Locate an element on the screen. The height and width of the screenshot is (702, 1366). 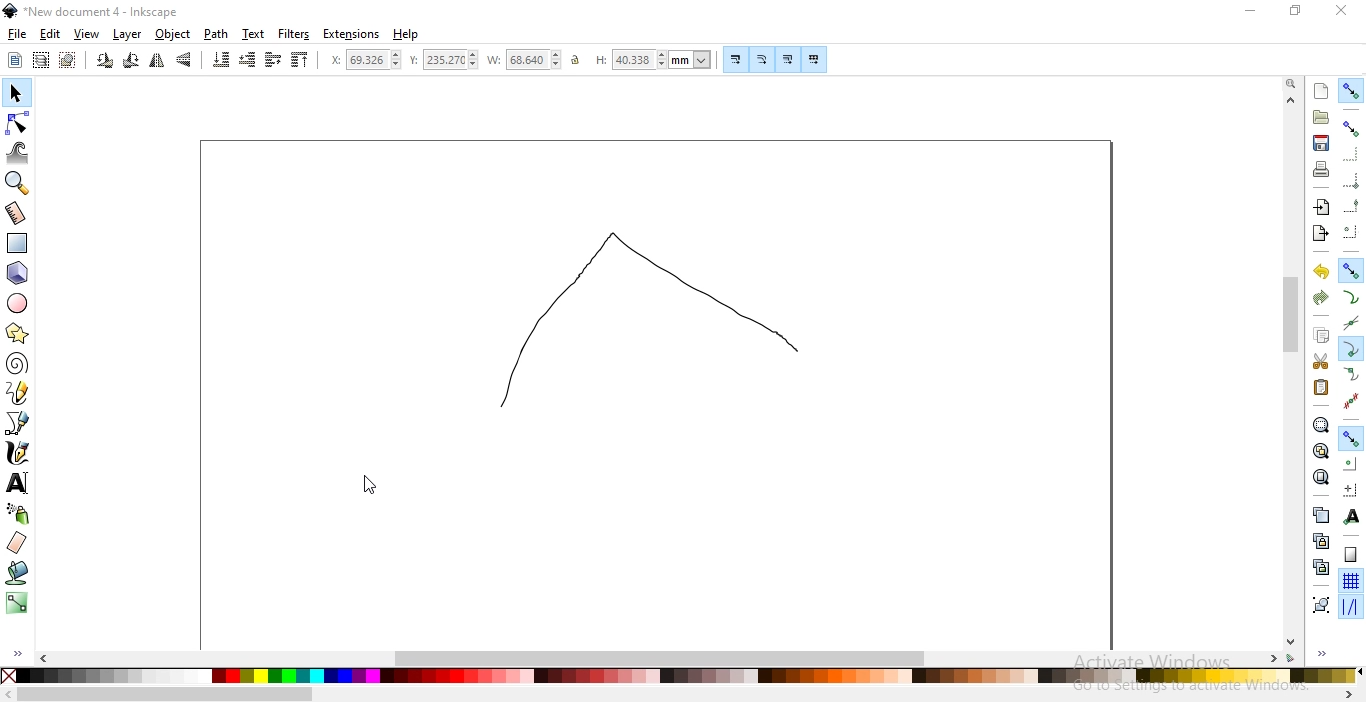
snap midpointsof bounding boxes edges is located at coordinates (1351, 206).